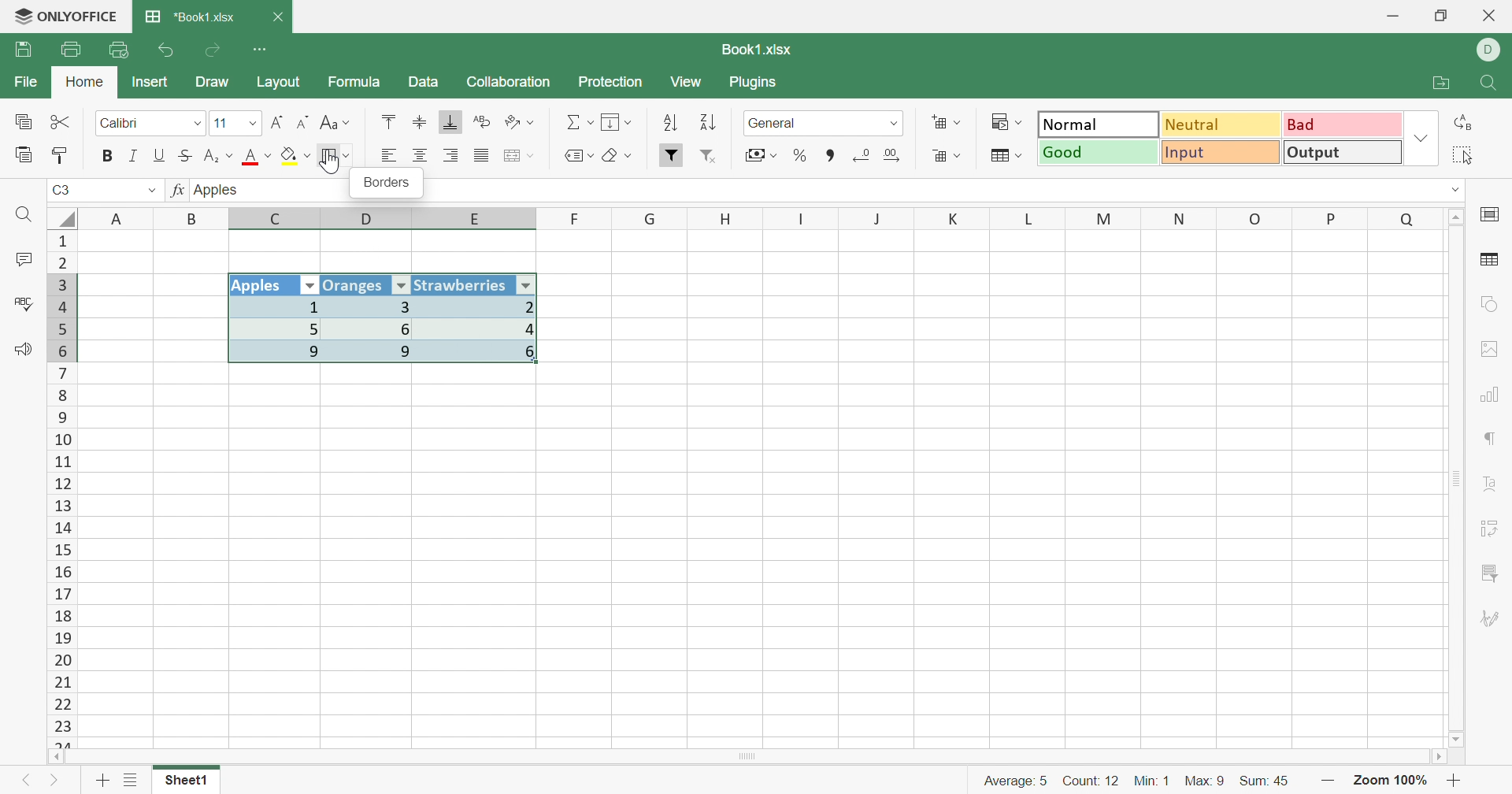 This screenshot has height=794, width=1512. Describe the element at coordinates (220, 189) in the screenshot. I see `Apples` at that location.